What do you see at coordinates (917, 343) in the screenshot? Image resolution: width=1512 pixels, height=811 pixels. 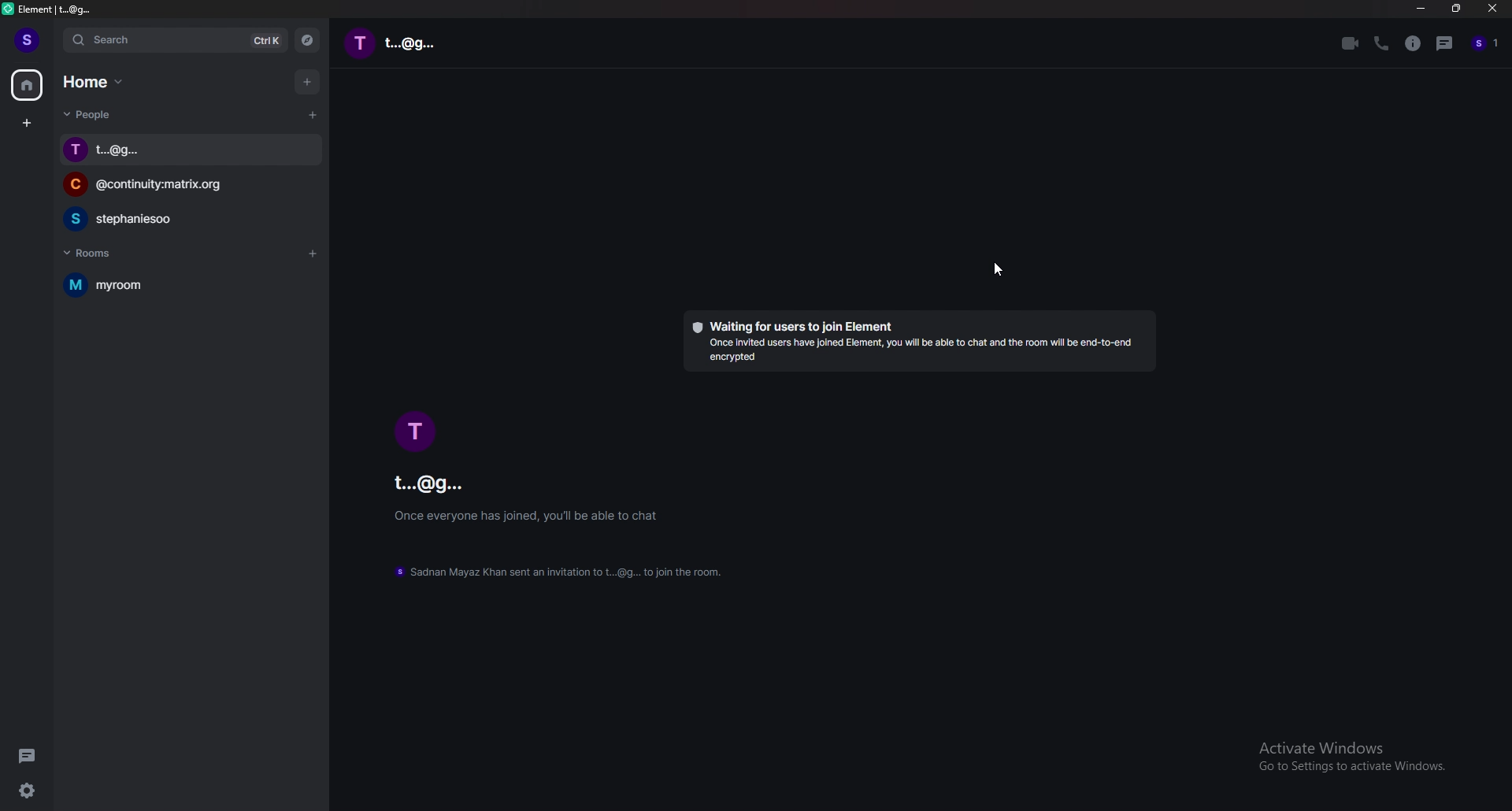 I see `info` at bounding box center [917, 343].